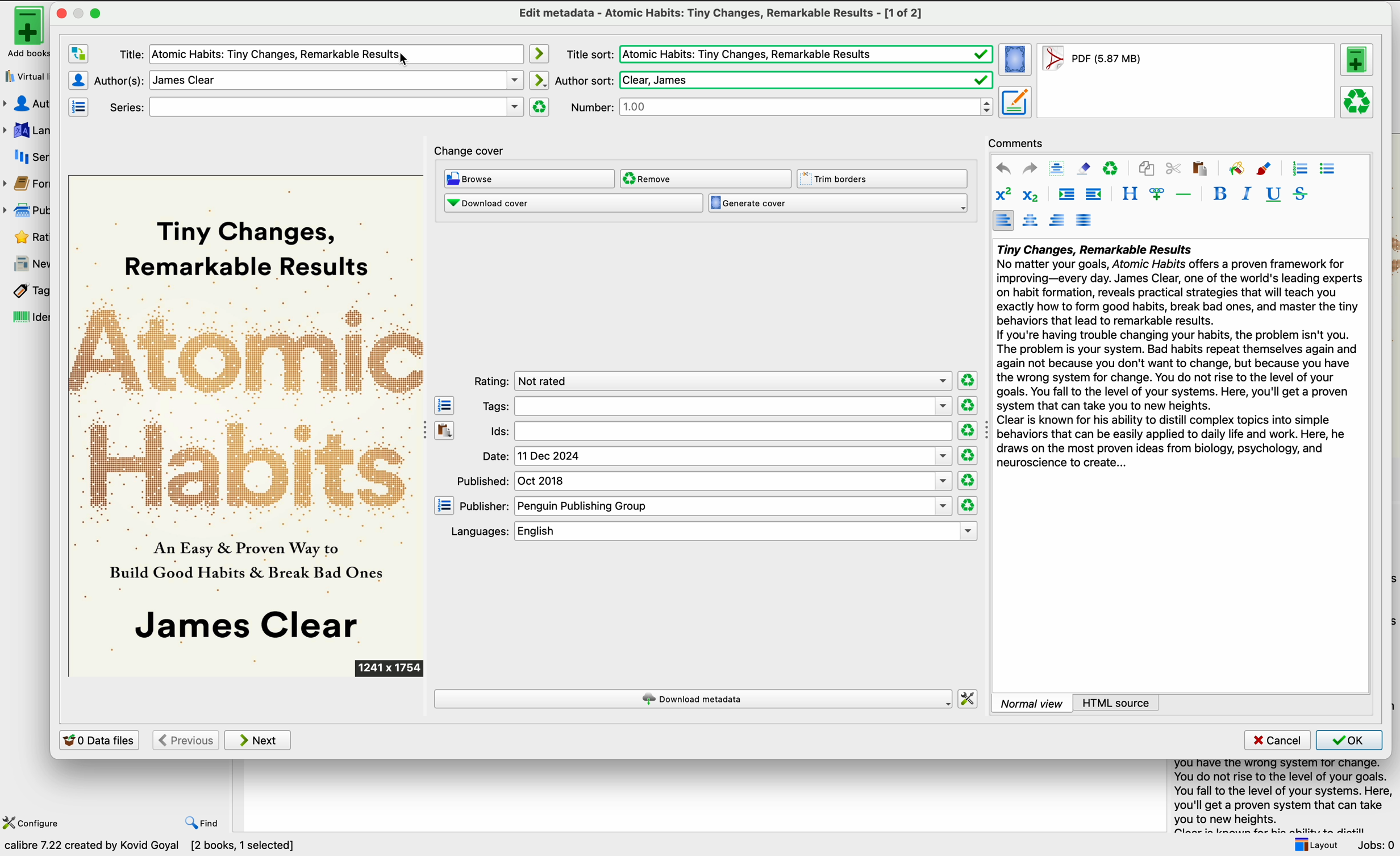 This screenshot has height=856, width=1400. What do you see at coordinates (23, 32) in the screenshot?
I see `add books` at bounding box center [23, 32].